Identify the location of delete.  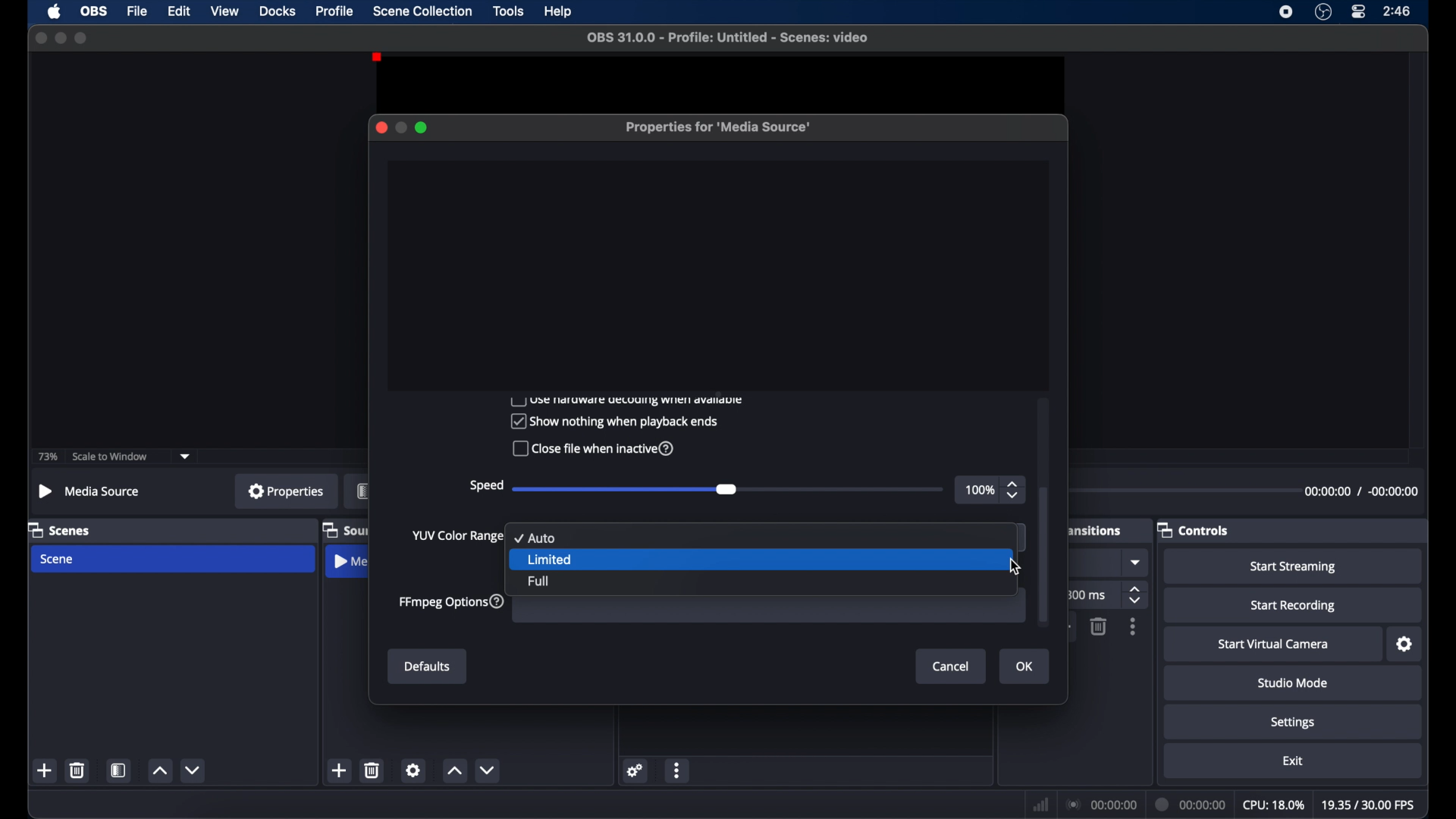
(373, 770).